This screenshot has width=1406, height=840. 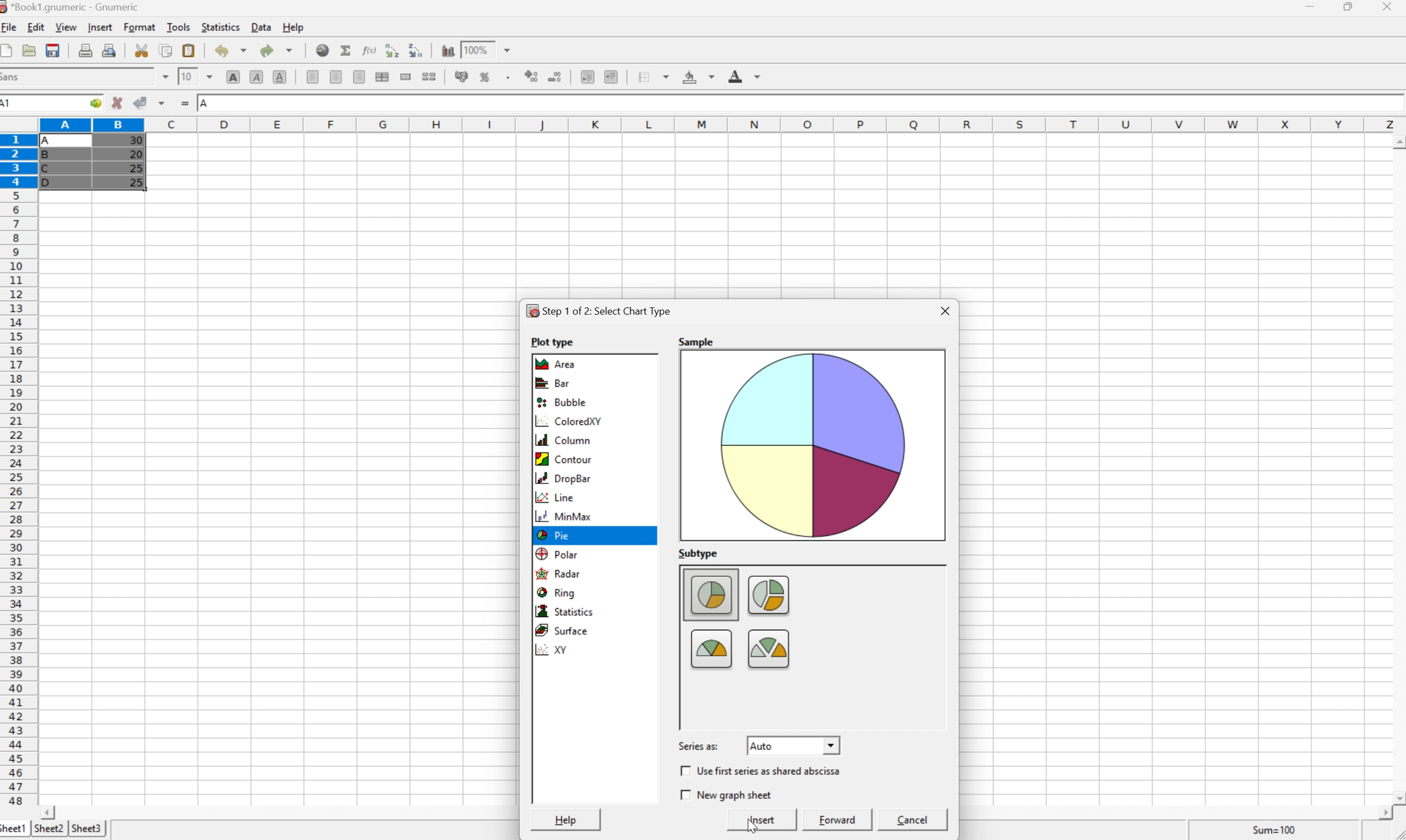 I want to click on Background, so click(x=698, y=78).